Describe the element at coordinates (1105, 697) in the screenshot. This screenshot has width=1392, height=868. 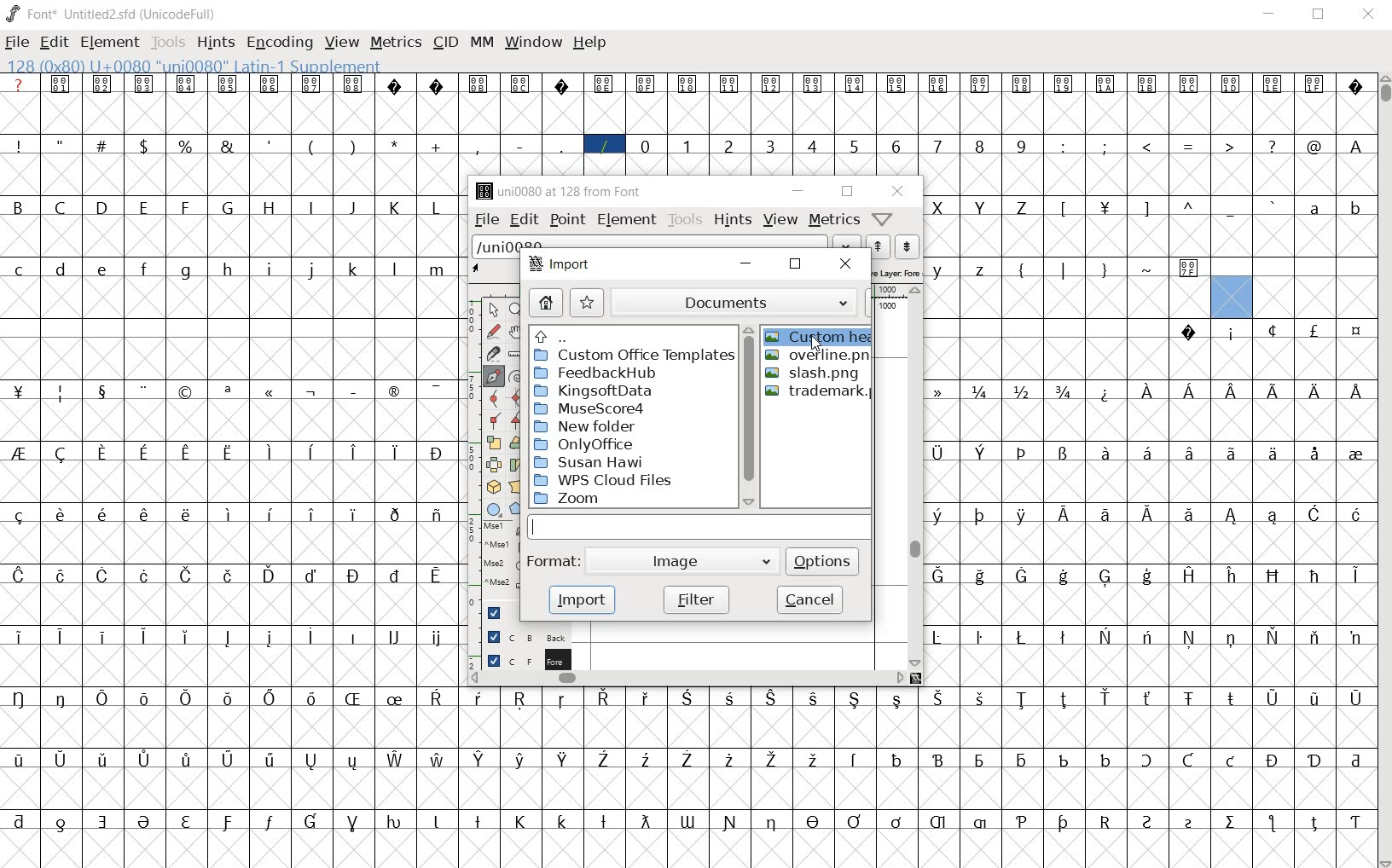
I see `glyph` at that location.